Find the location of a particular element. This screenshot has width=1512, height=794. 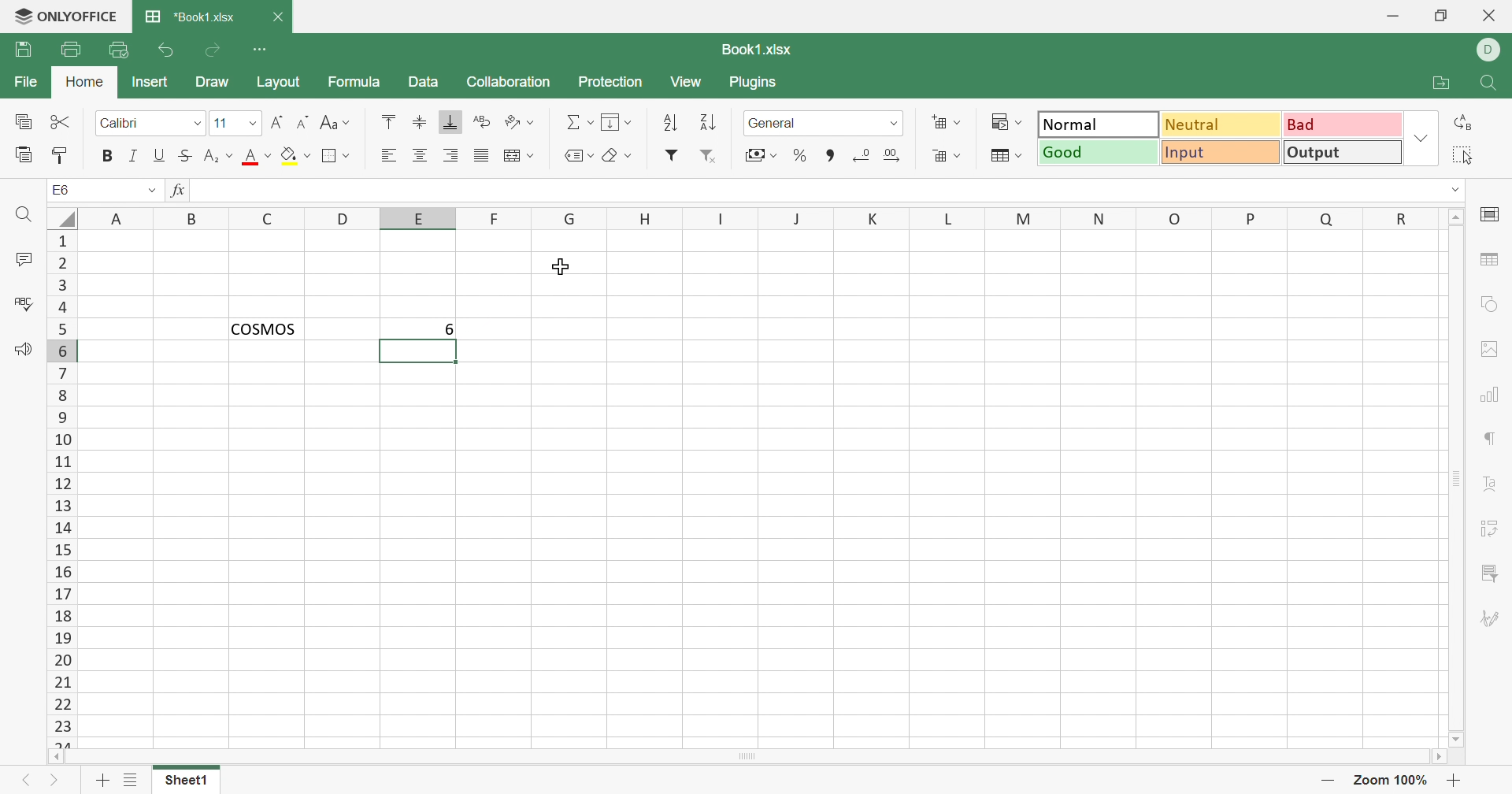

Add sheet is located at coordinates (102, 781).